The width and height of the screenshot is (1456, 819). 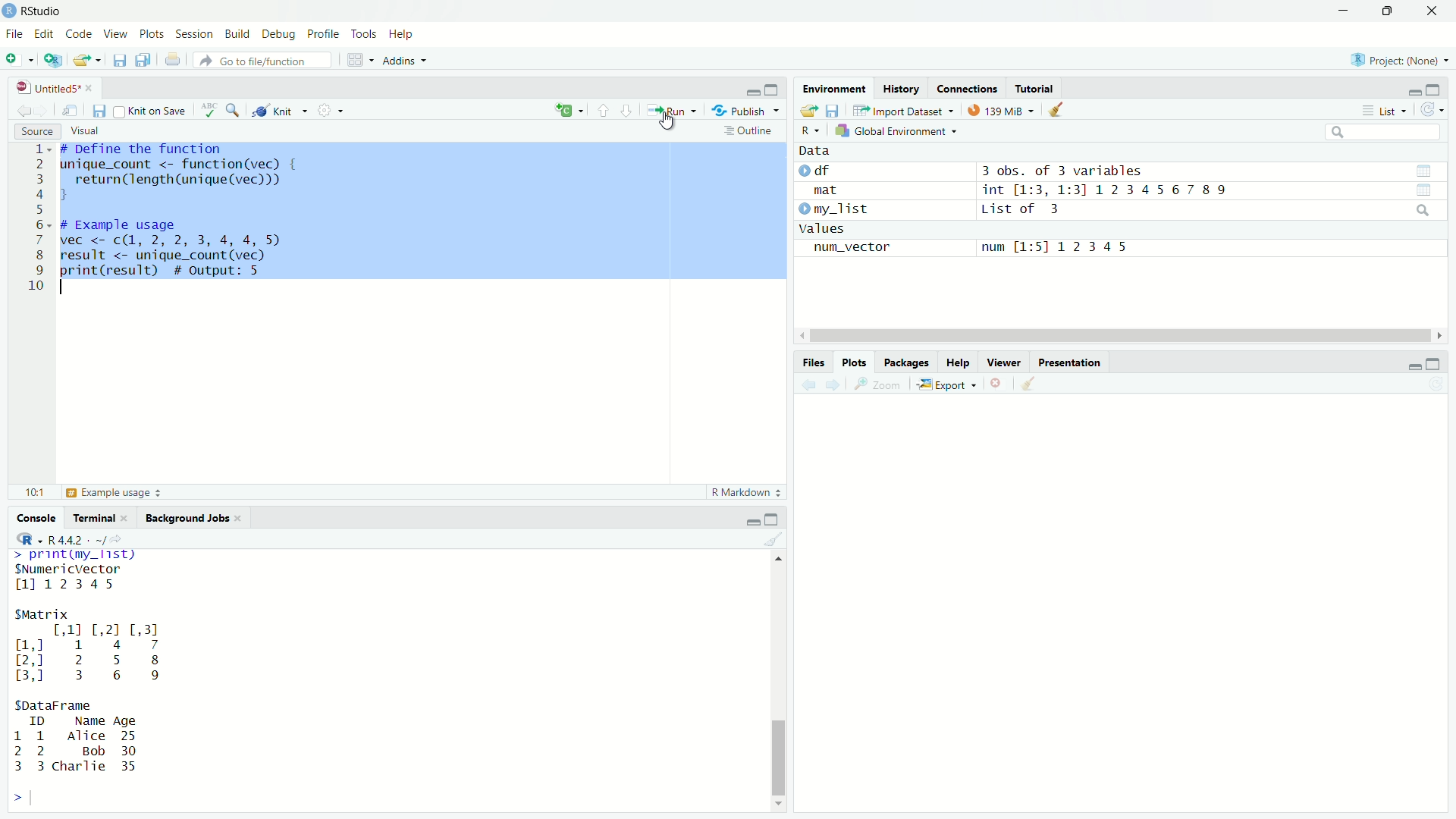 I want to click on Project(None), so click(x=1399, y=60).